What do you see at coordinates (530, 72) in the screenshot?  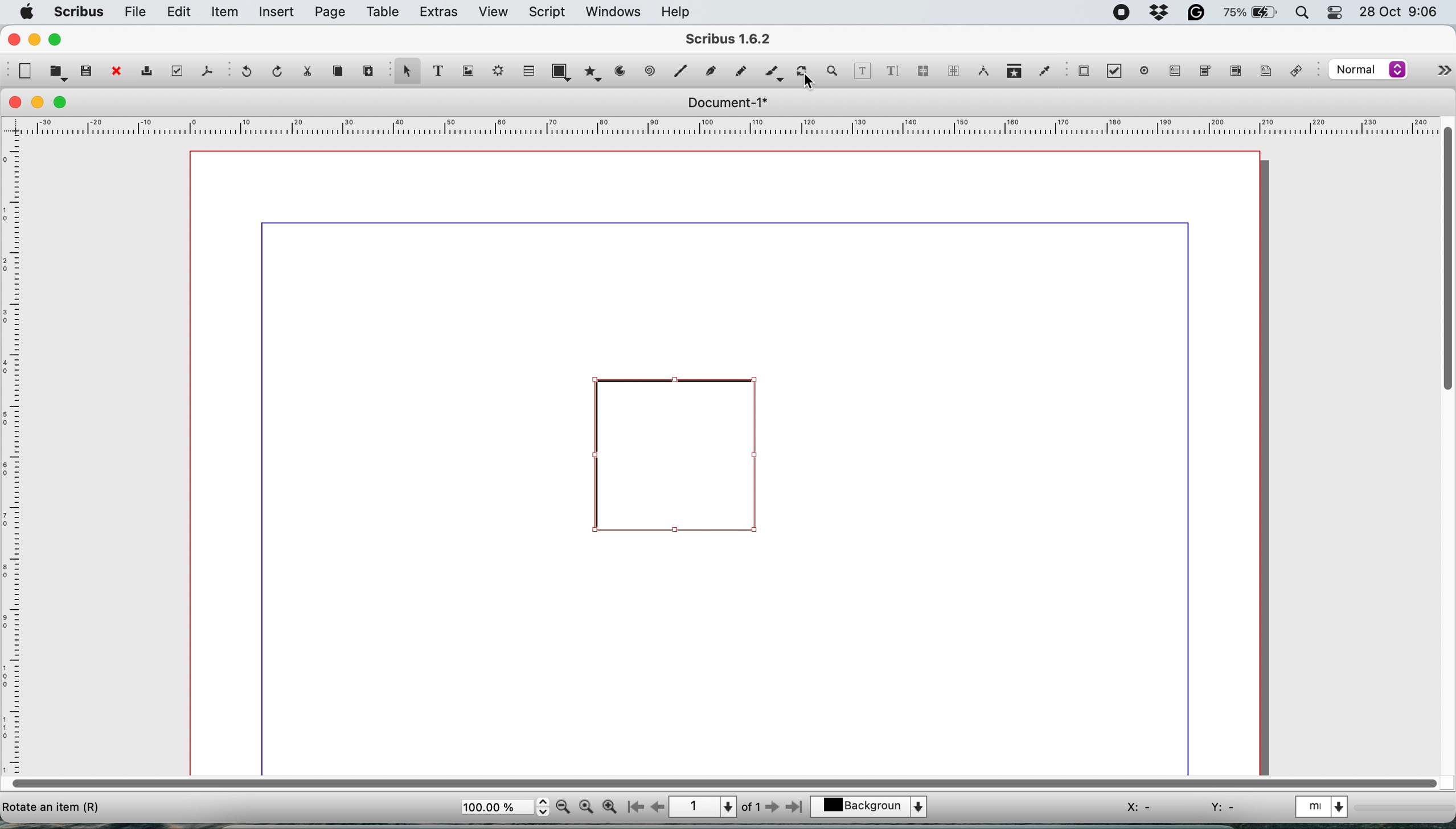 I see `table` at bounding box center [530, 72].